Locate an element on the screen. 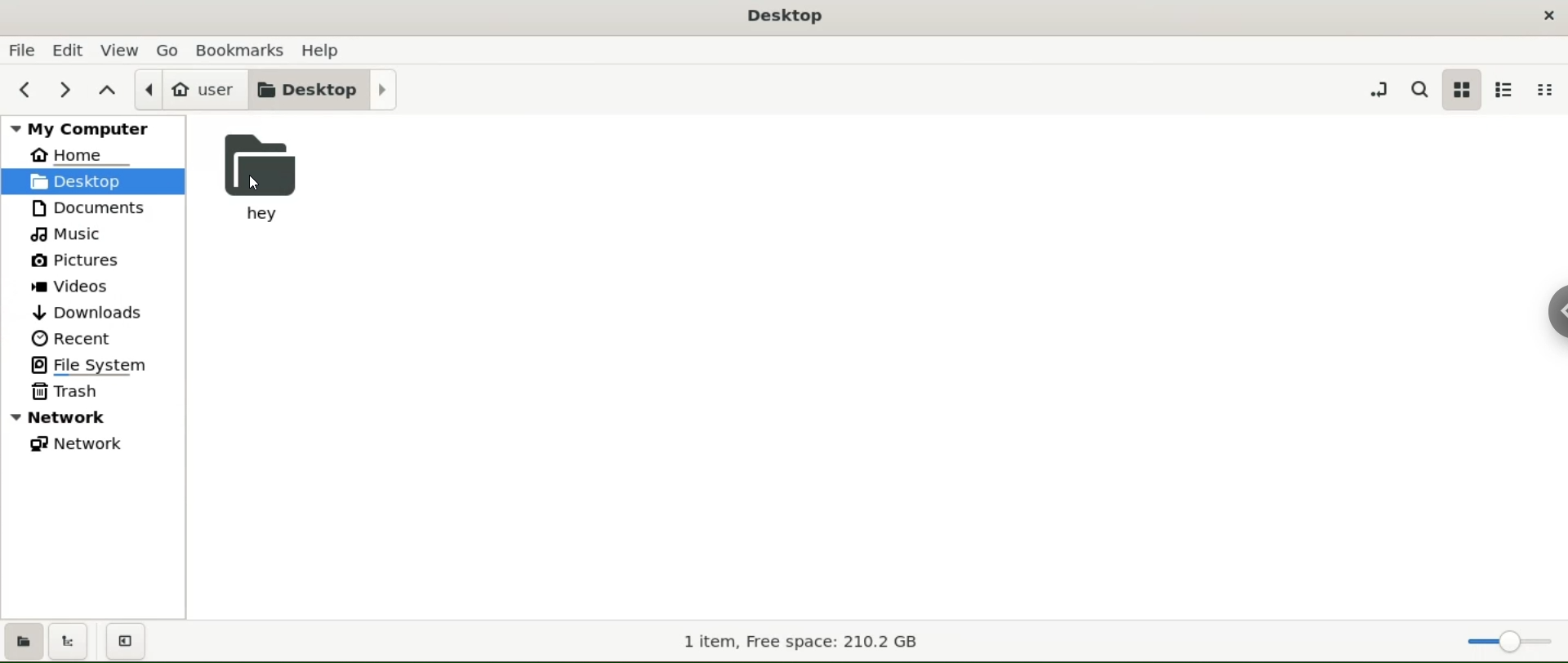 This screenshot has width=1568, height=663. trash is located at coordinates (91, 394).